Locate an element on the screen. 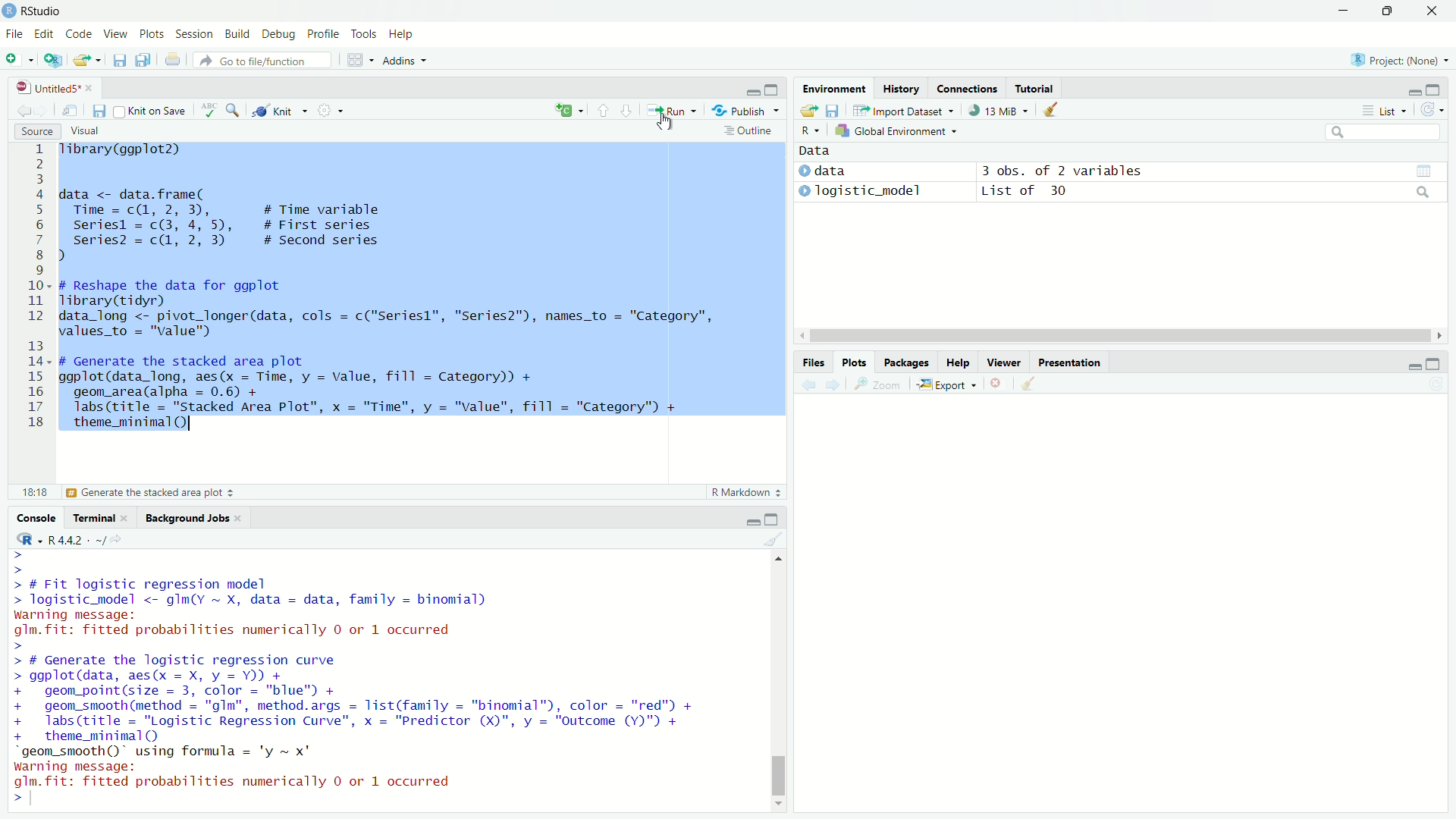 The height and width of the screenshot is (819, 1456). : Outline is located at coordinates (755, 132).